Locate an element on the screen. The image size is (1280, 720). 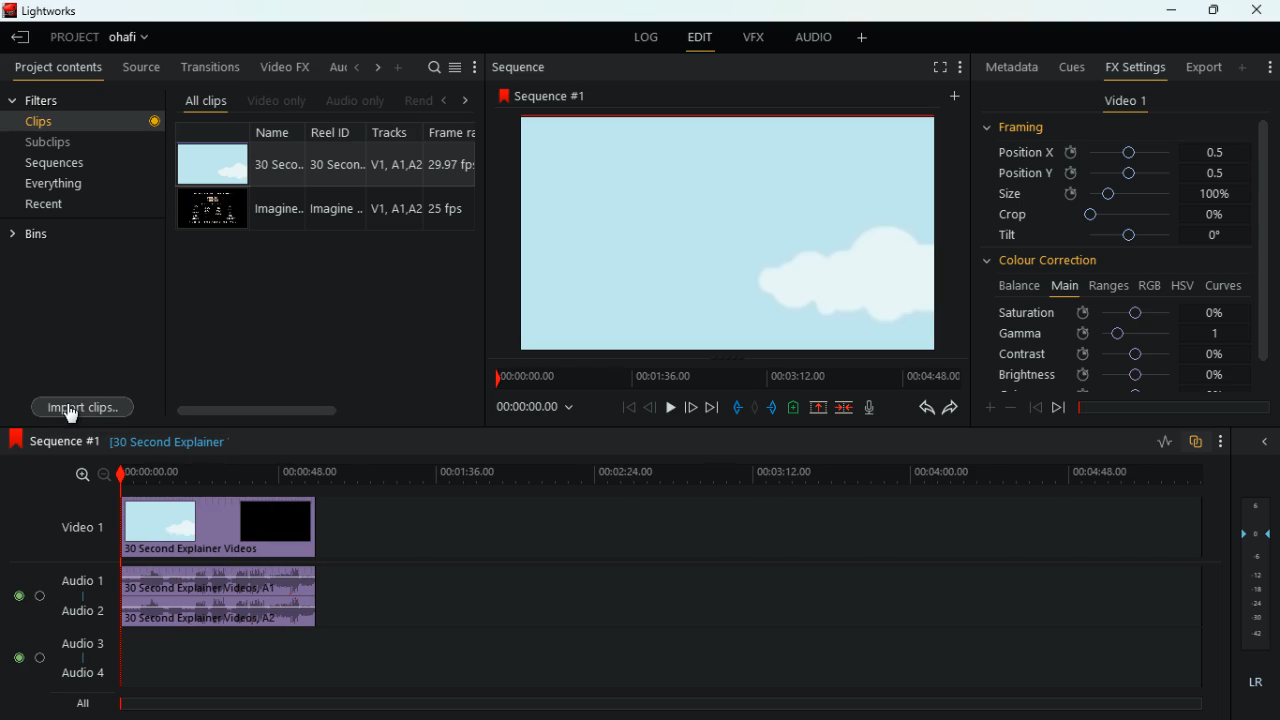
beggining is located at coordinates (1034, 406).